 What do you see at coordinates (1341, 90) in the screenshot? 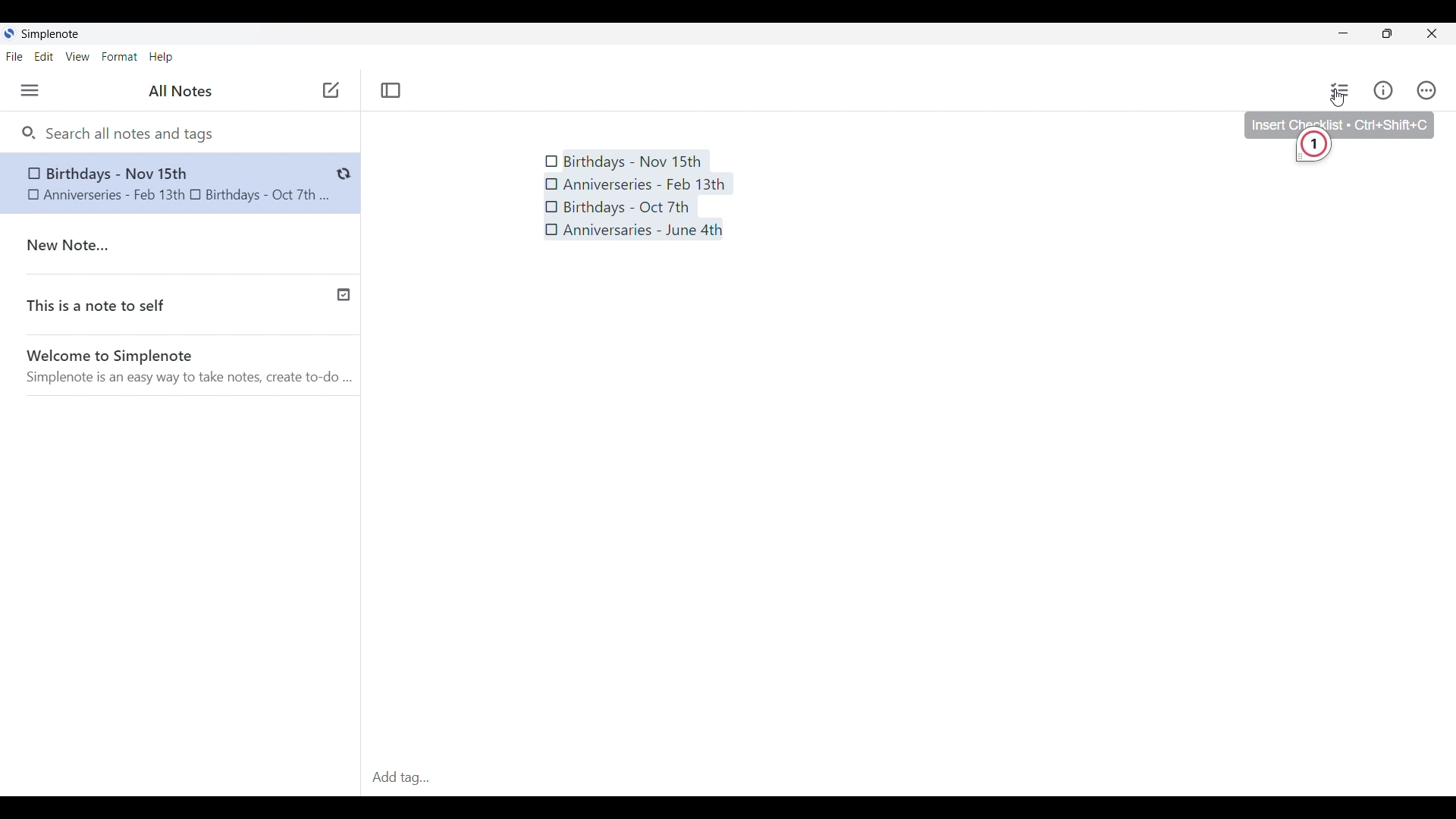
I see `Insert checklist` at bounding box center [1341, 90].